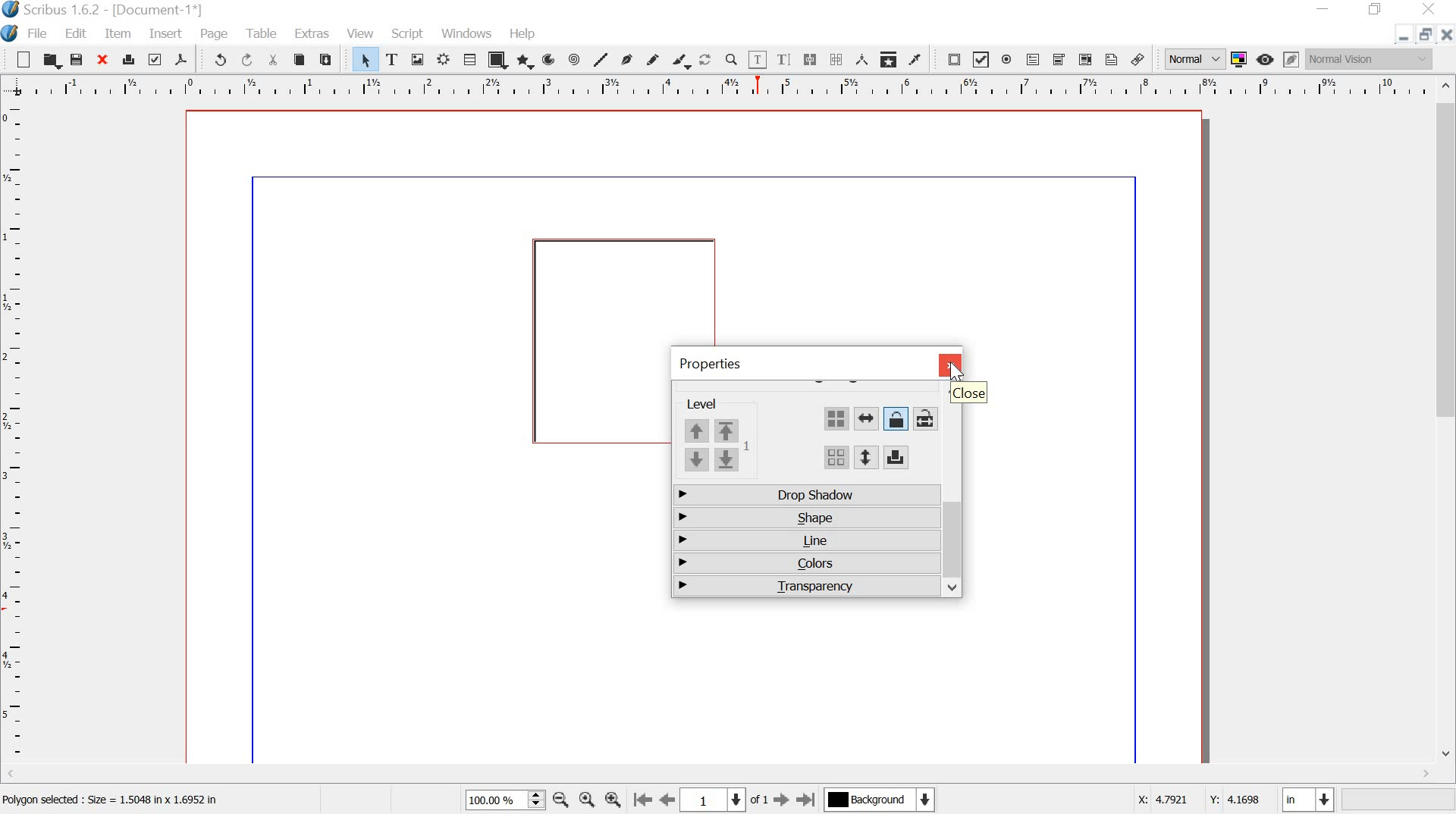 The image size is (1456, 814). I want to click on rotate item, so click(706, 61).